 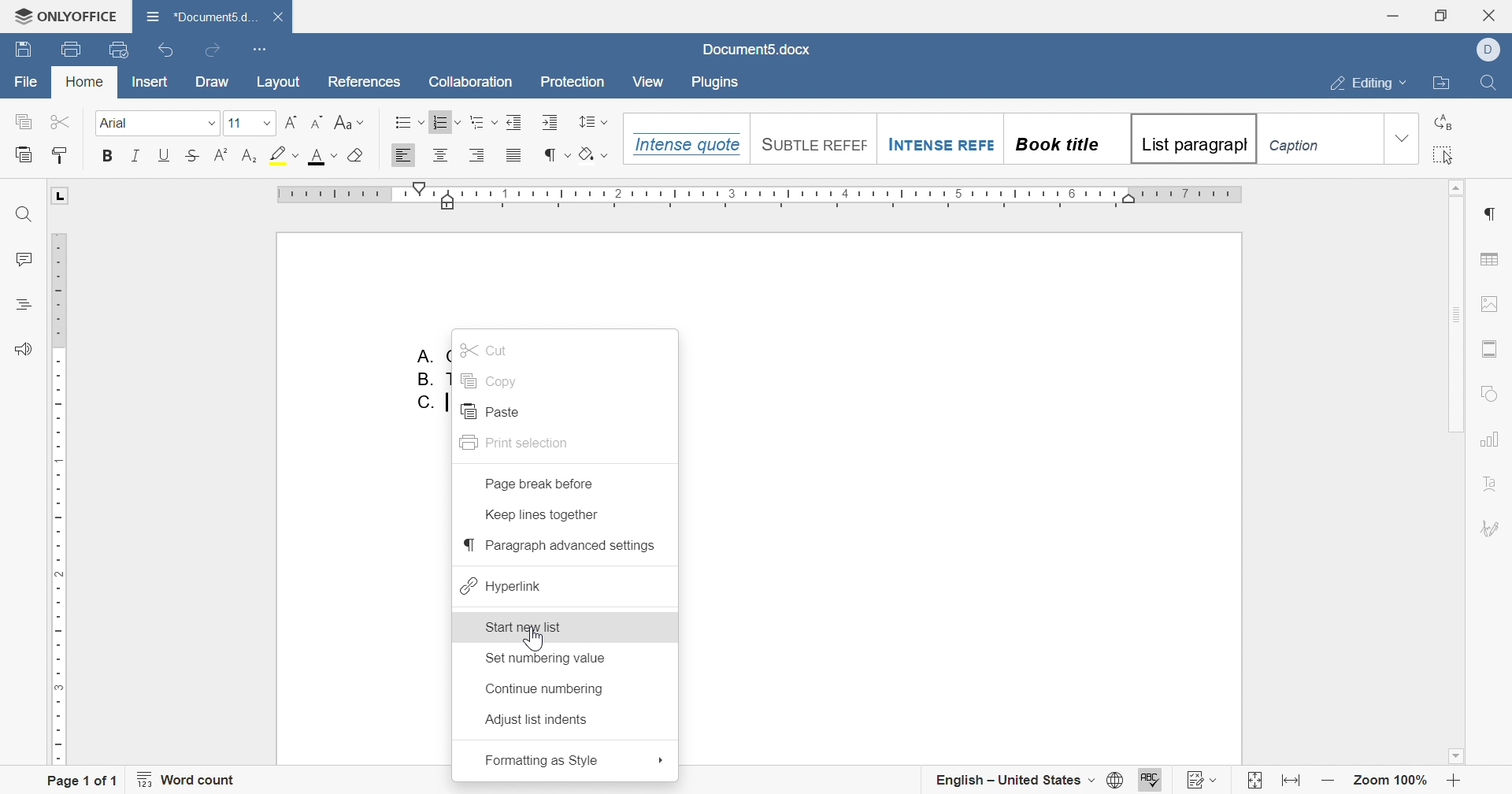 What do you see at coordinates (575, 82) in the screenshot?
I see `Protection` at bounding box center [575, 82].